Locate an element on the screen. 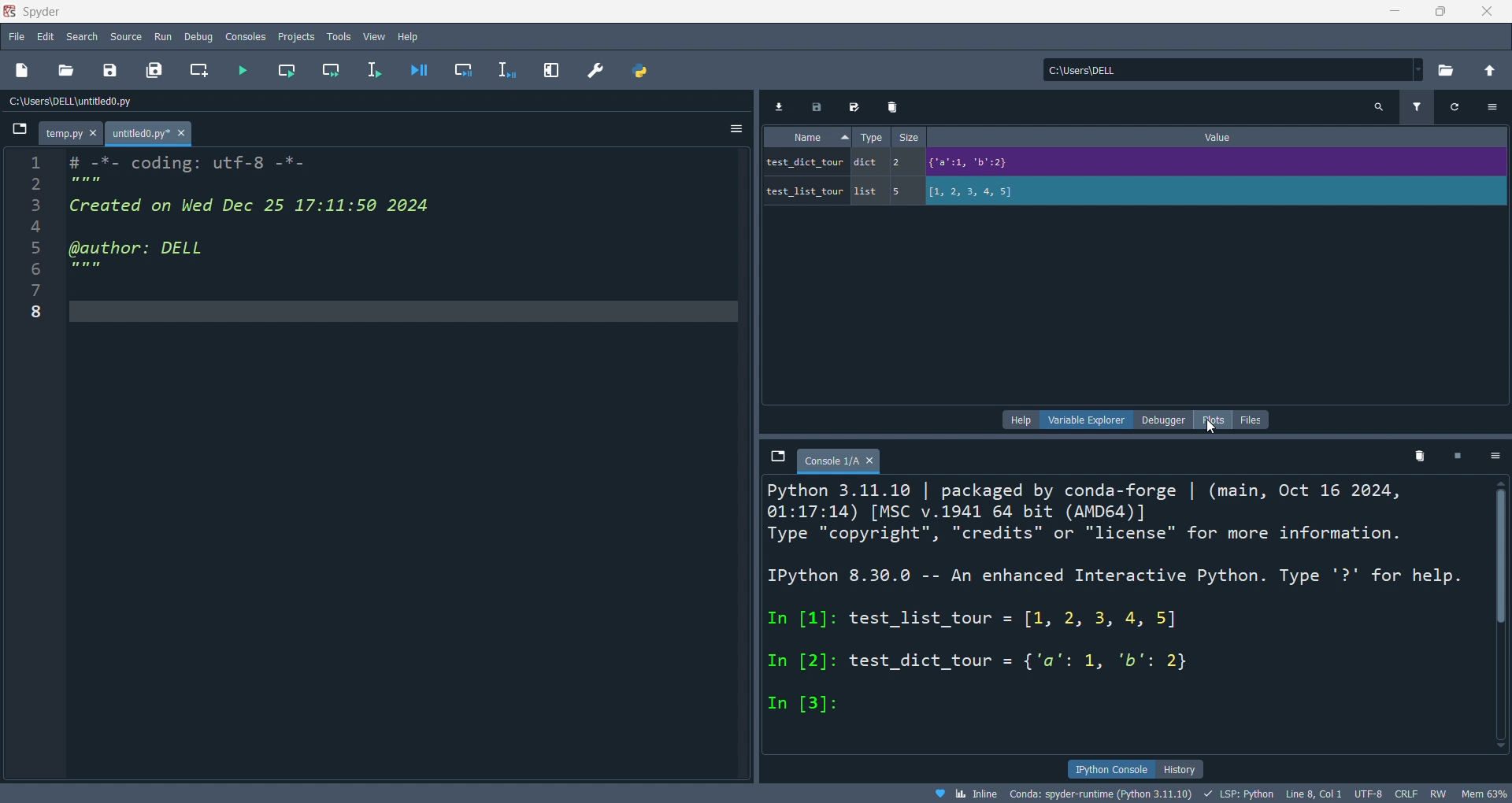 Image resolution: width=1512 pixels, height=803 pixels. tools is located at coordinates (339, 35).